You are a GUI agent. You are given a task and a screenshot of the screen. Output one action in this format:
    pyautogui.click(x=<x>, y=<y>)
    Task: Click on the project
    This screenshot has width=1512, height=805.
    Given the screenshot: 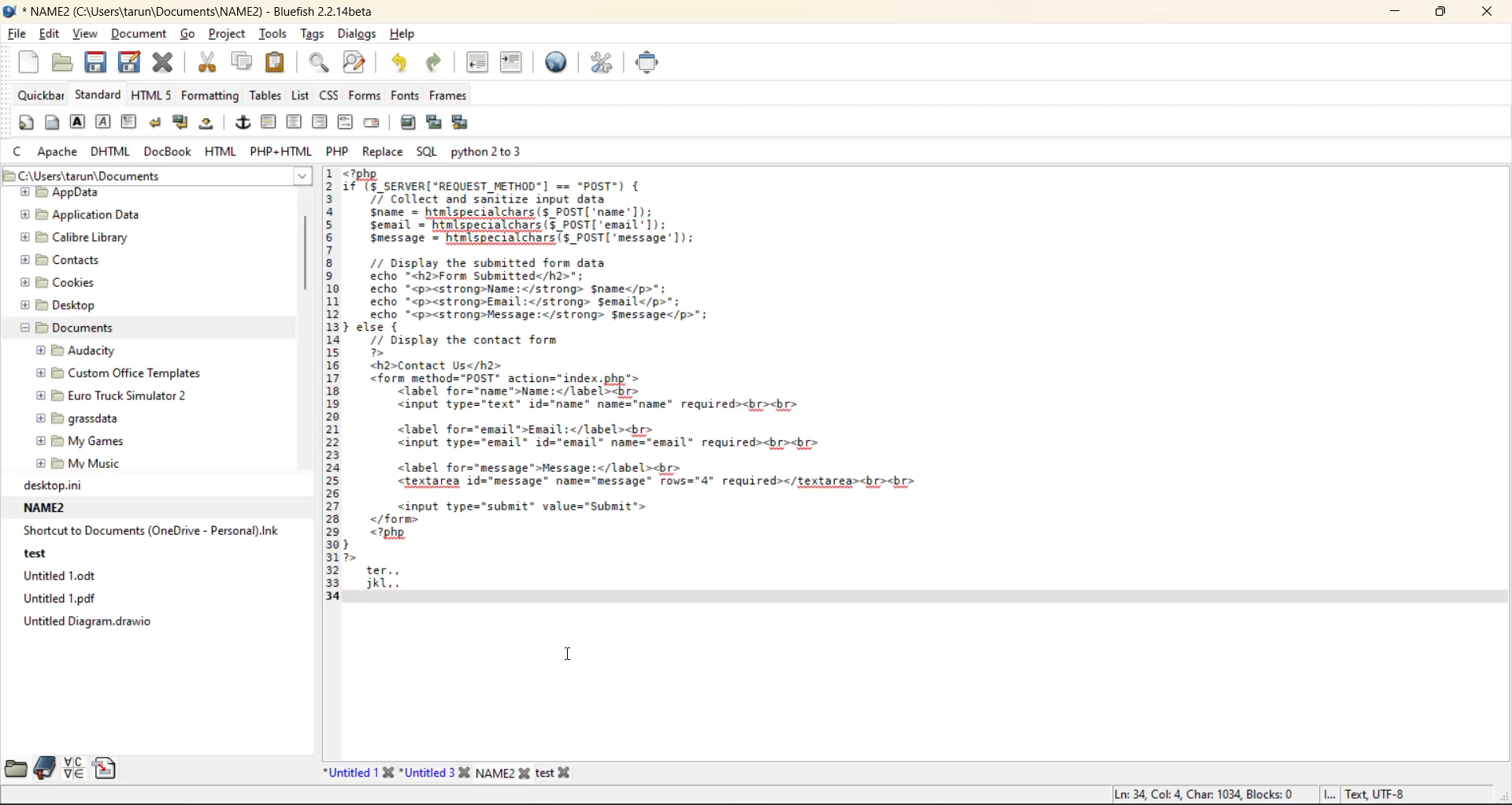 What is the action you would take?
    pyautogui.click(x=225, y=32)
    